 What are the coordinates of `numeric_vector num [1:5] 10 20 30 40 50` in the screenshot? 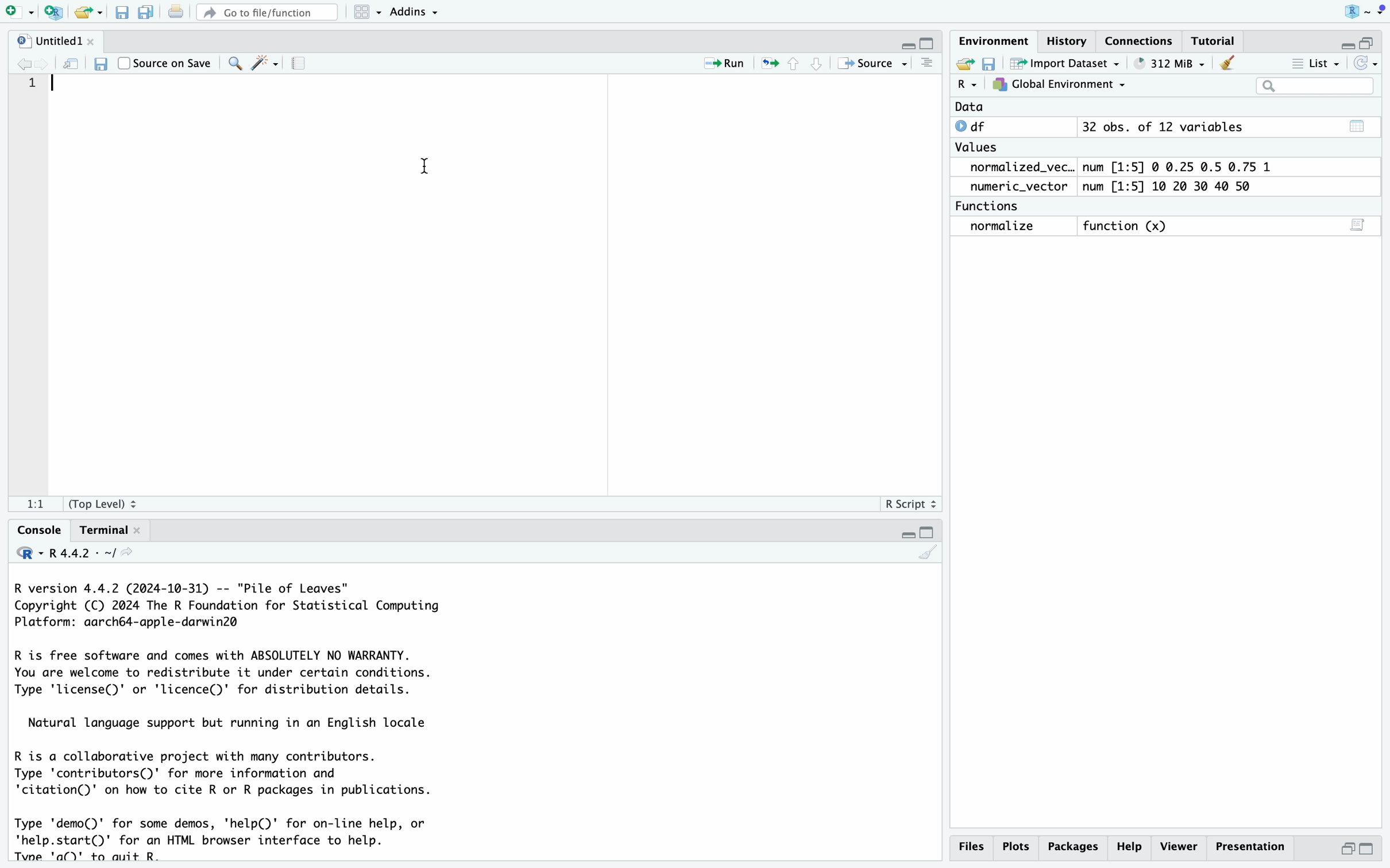 It's located at (1128, 187).